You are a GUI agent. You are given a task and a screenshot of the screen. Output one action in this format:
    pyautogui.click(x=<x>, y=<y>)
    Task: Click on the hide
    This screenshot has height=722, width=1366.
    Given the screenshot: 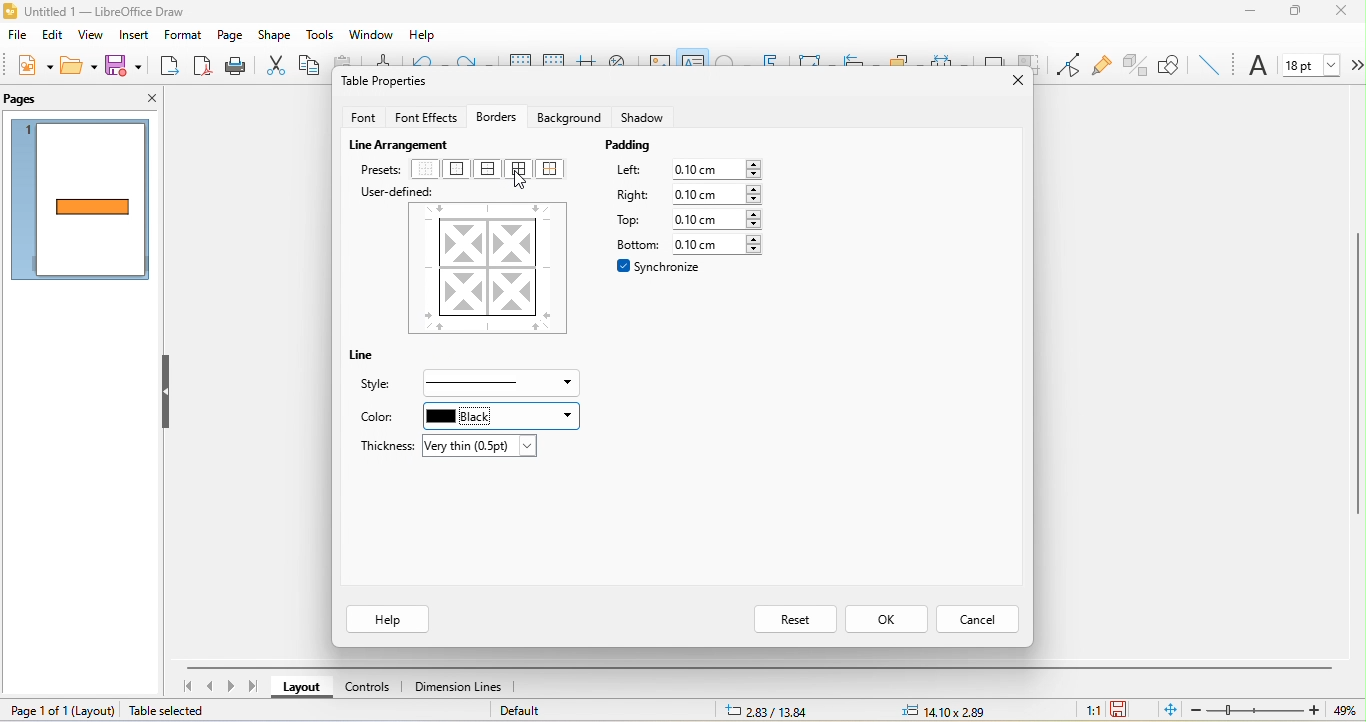 What is the action you would take?
    pyautogui.click(x=168, y=395)
    